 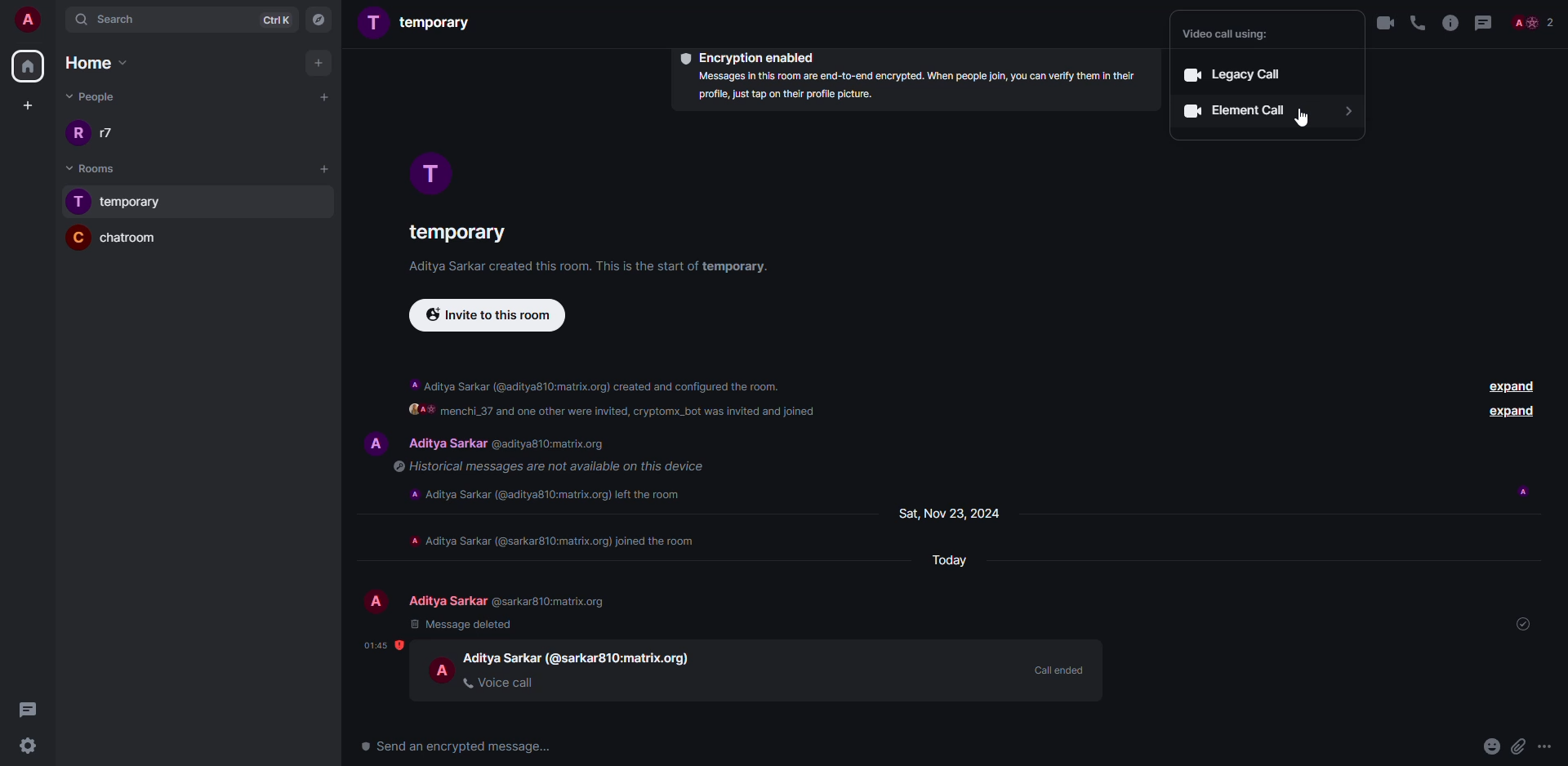 I want to click on , so click(x=548, y=495).